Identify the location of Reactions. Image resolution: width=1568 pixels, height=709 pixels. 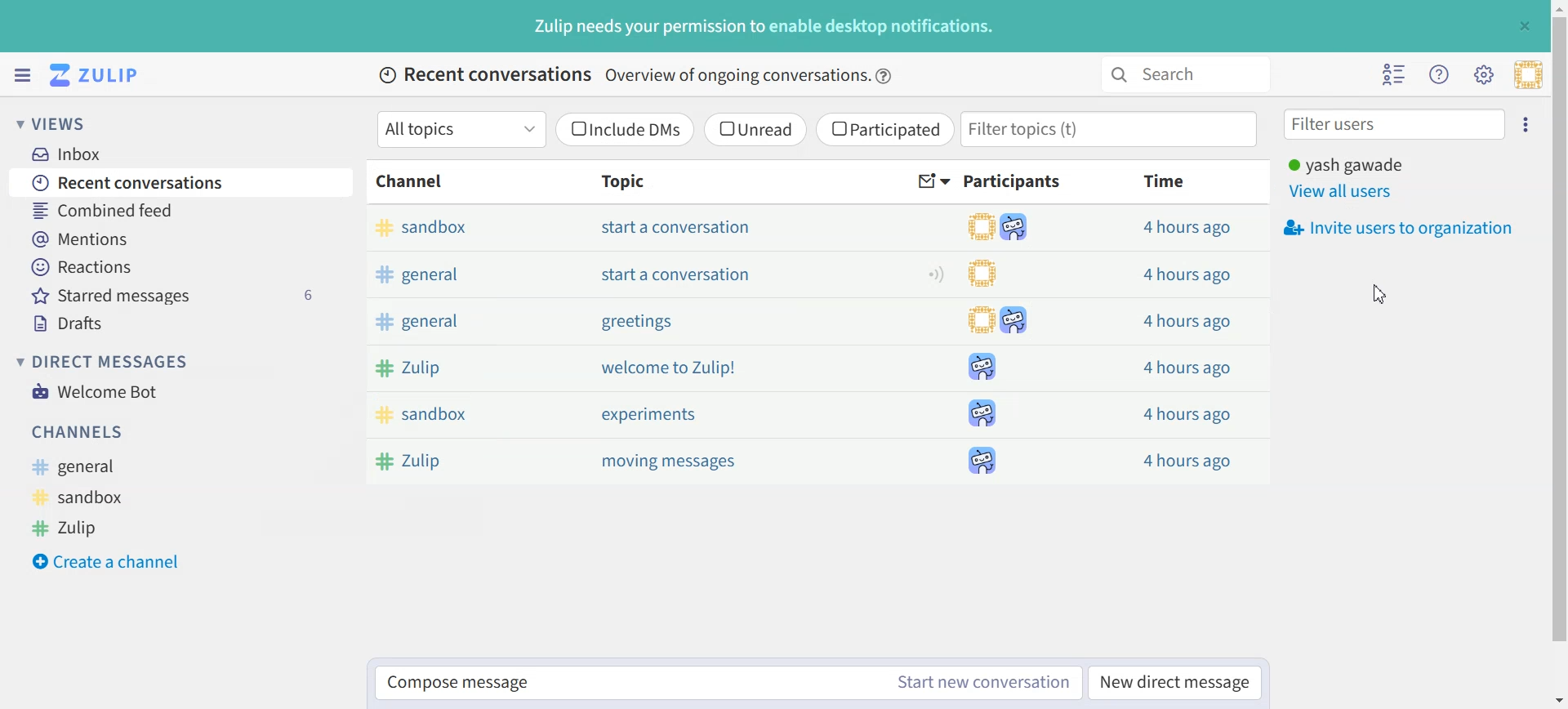
(182, 267).